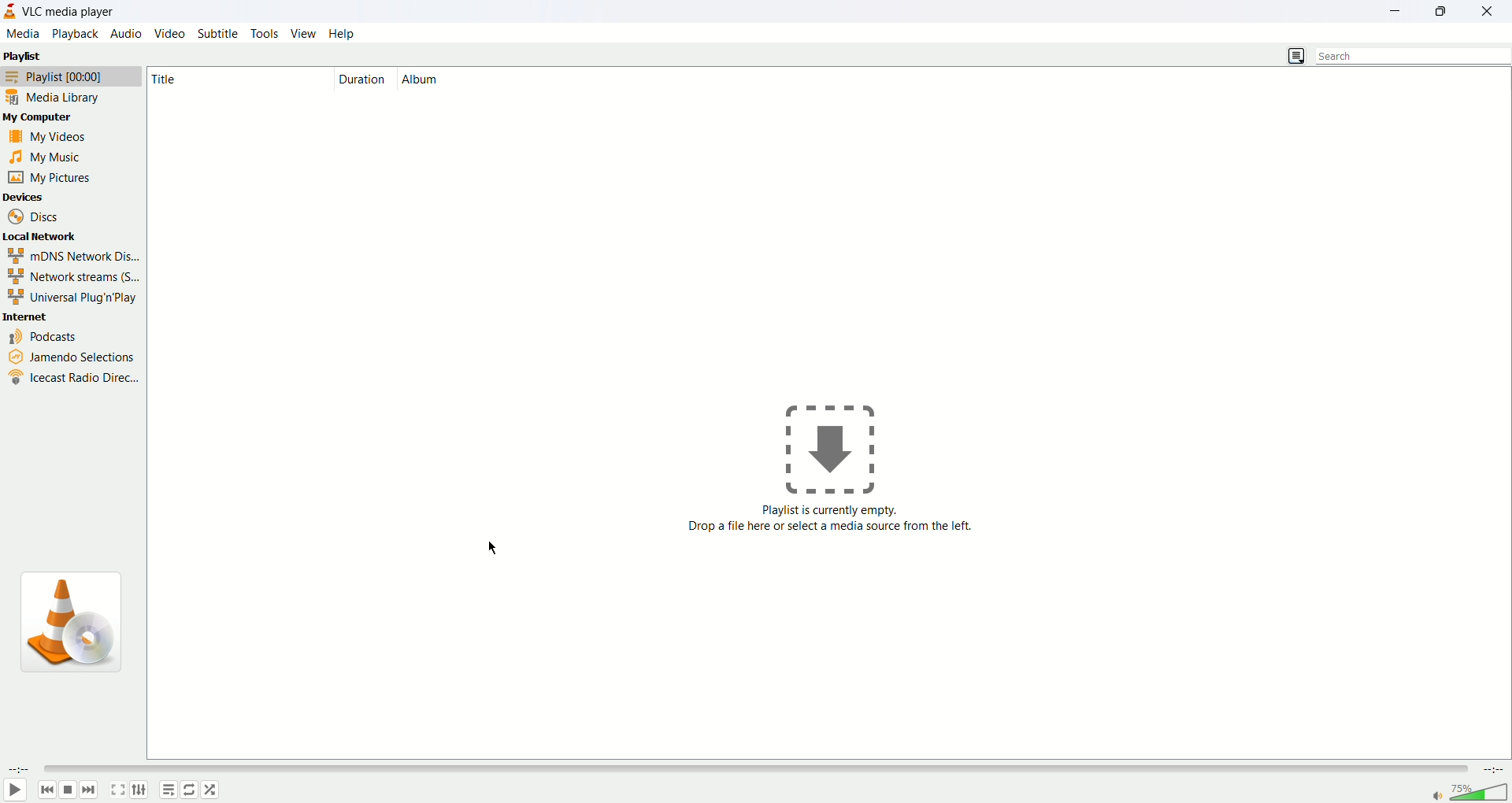 Image resolution: width=1512 pixels, height=803 pixels. What do you see at coordinates (1402, 12) in the screenshot?
I see `minimize` at bounding box center [1402, 12].